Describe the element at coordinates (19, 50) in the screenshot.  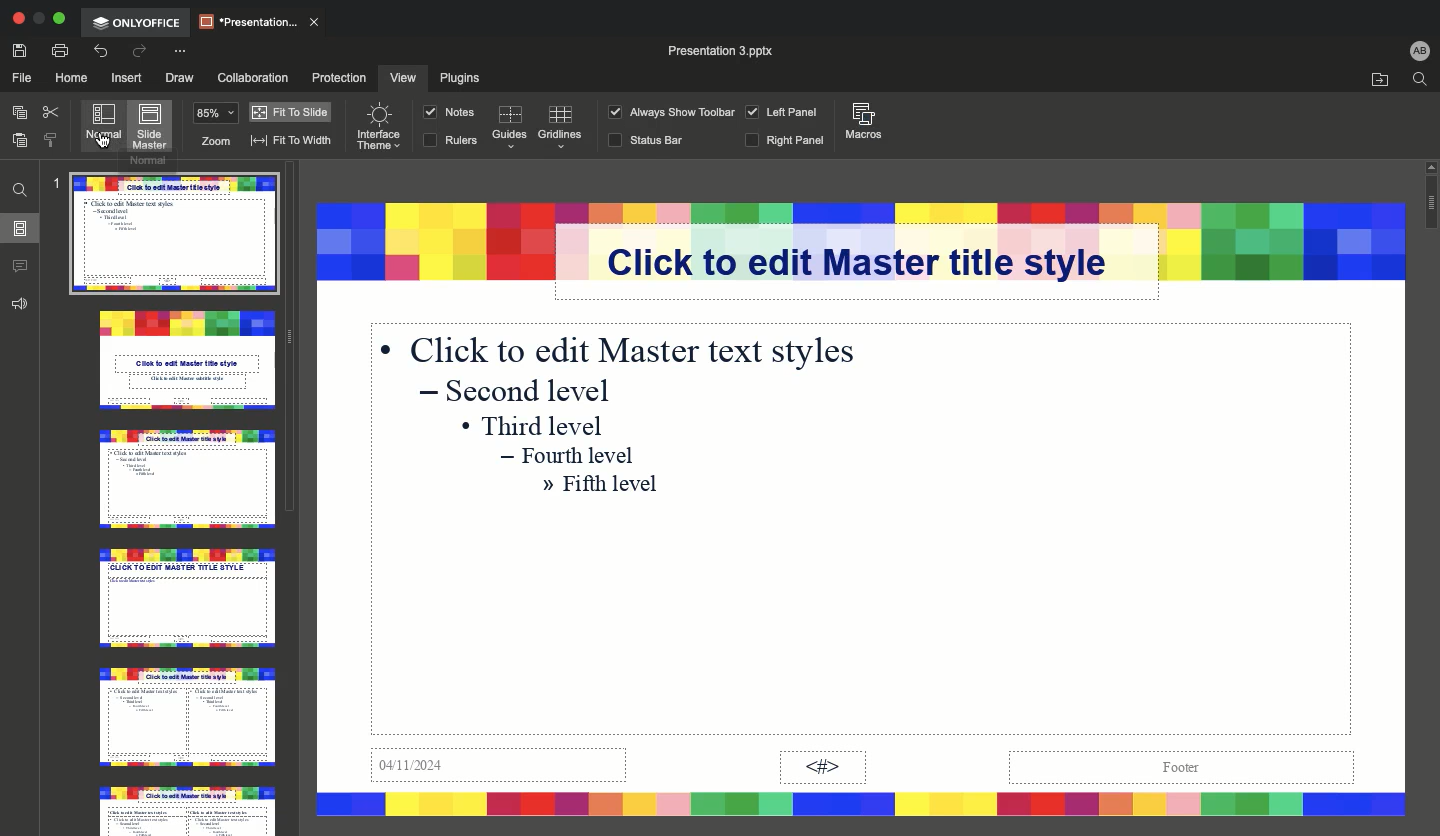
I see `Save` at that location.